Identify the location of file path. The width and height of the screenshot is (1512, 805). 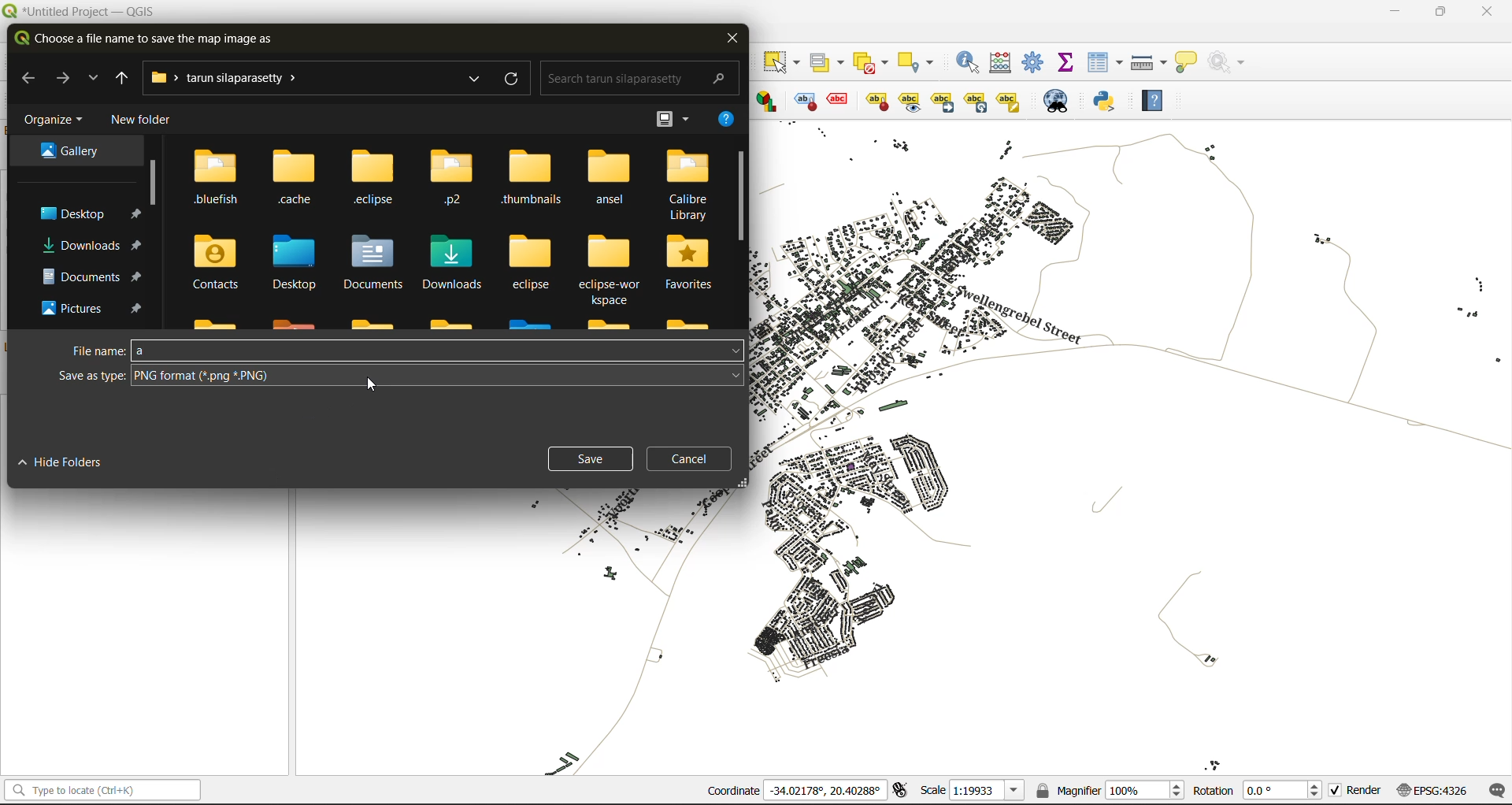
(233, 79).